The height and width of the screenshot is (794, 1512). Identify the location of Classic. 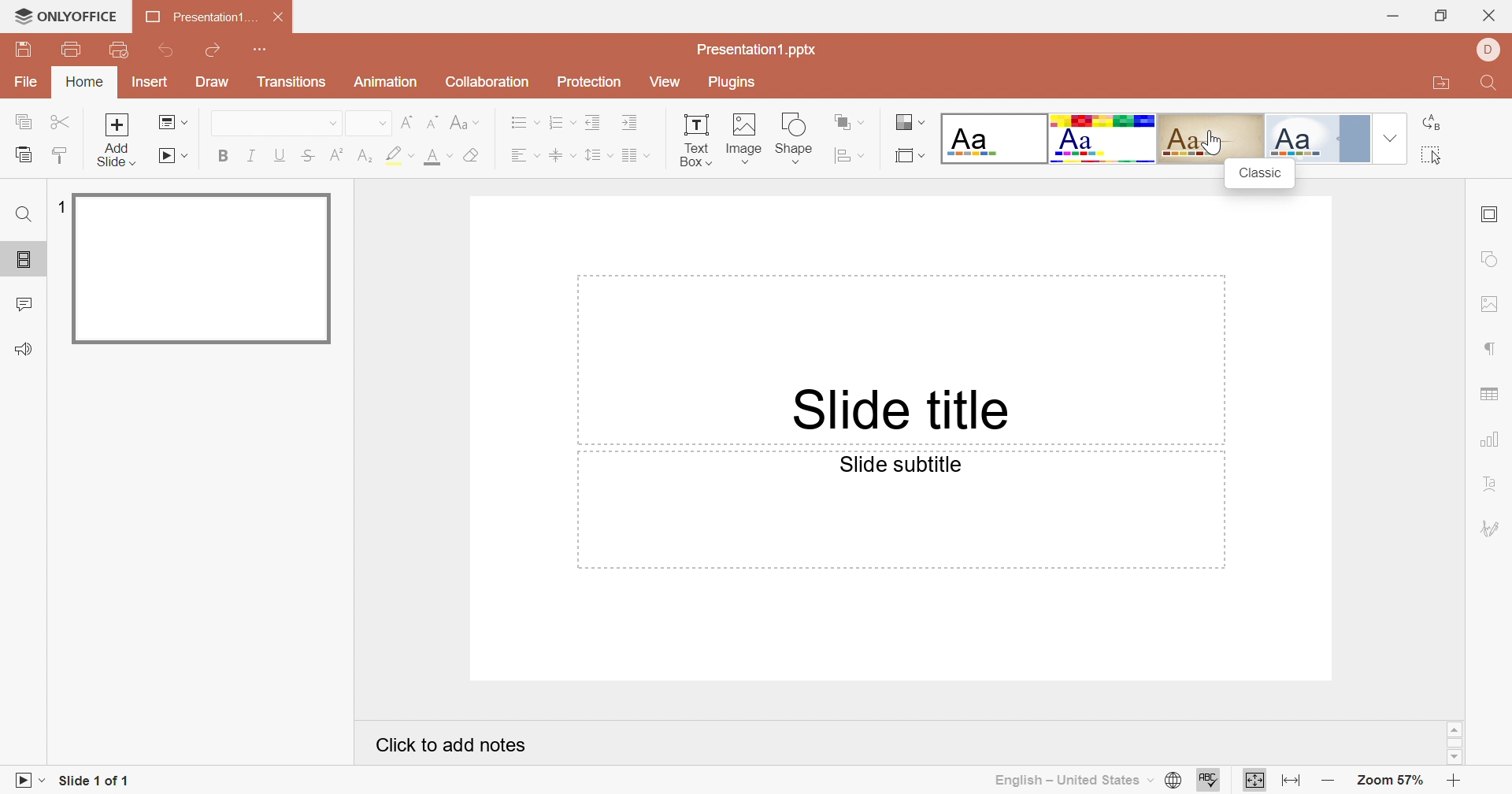
(1261, 177).